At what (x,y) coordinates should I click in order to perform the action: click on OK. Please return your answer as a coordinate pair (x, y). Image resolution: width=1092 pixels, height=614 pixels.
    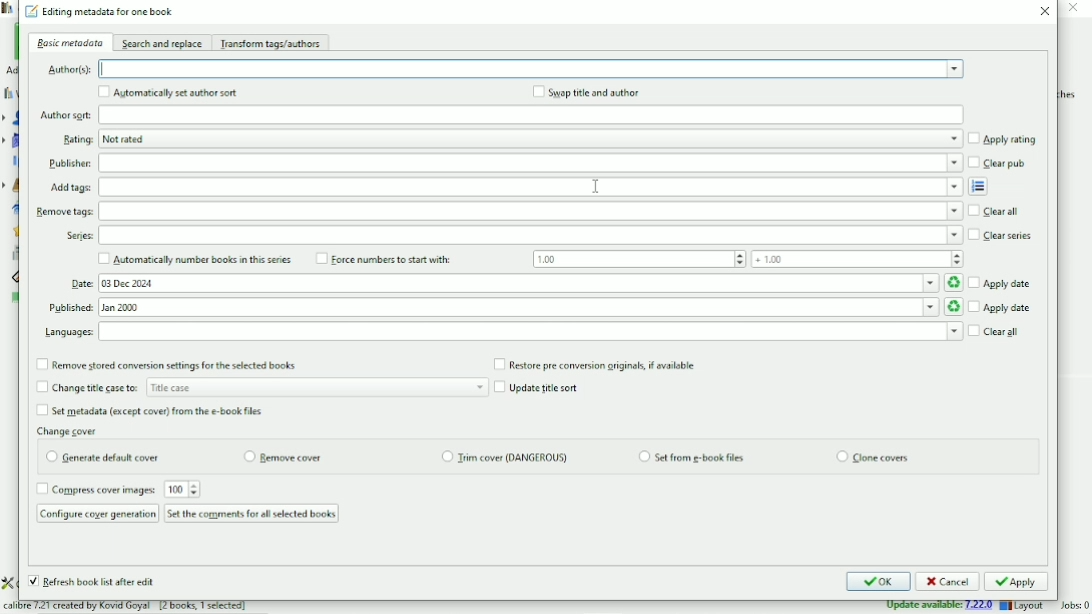
    Looking at the image, I should click on (876, 583).